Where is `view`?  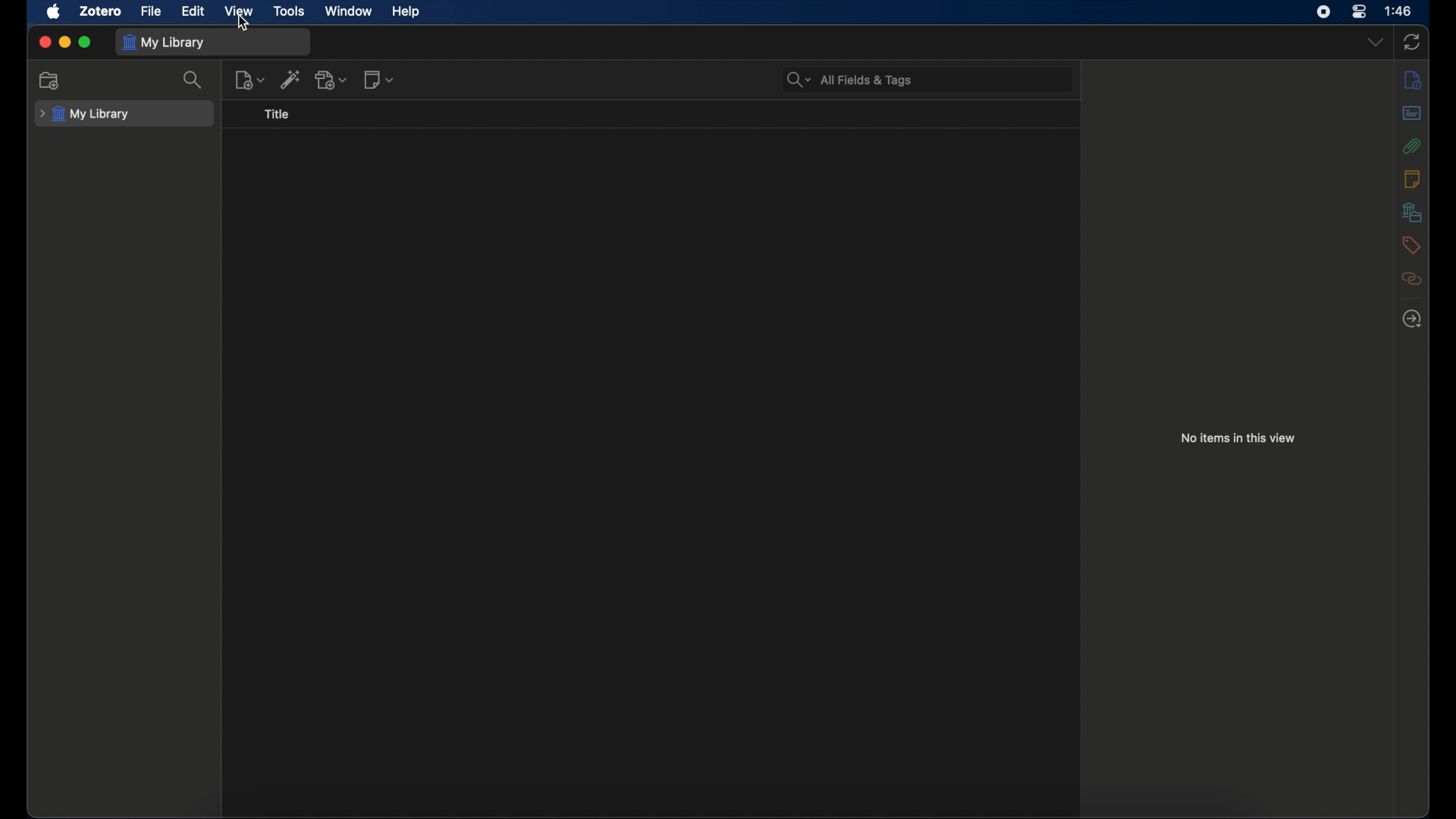 view is located at coordinates (237, 12).